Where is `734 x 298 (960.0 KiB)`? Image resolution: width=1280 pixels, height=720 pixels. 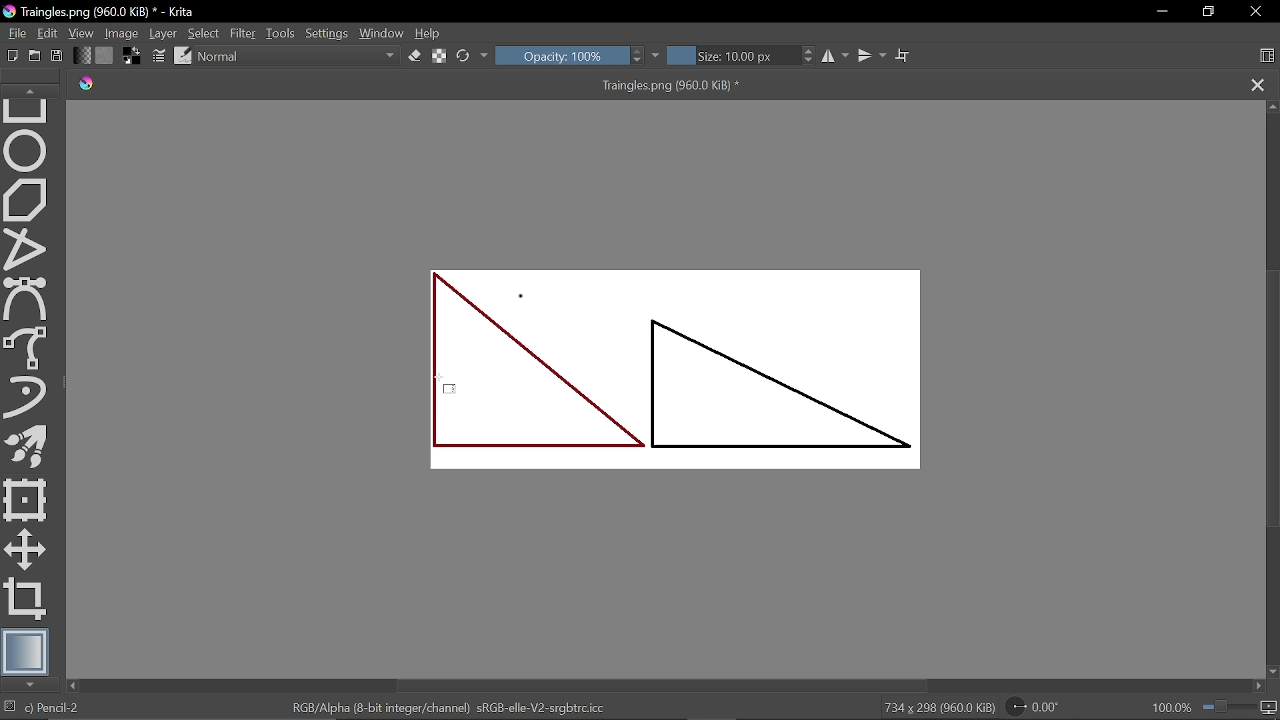
734 x 298 (960.0 KiB) is located at coordinates (938, 708).